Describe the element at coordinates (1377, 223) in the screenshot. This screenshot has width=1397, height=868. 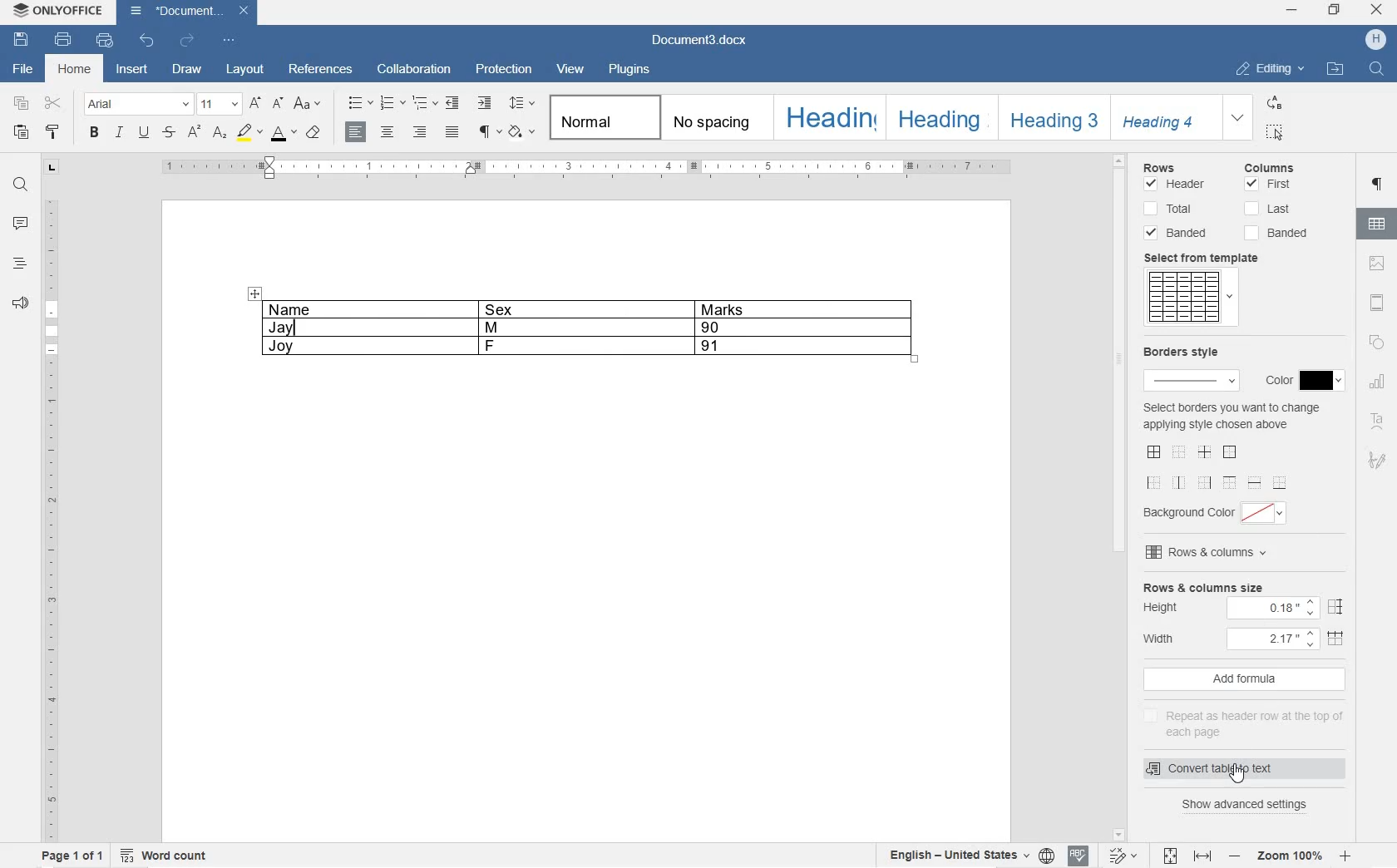
I see `TABLE SETTINGS` at that location.